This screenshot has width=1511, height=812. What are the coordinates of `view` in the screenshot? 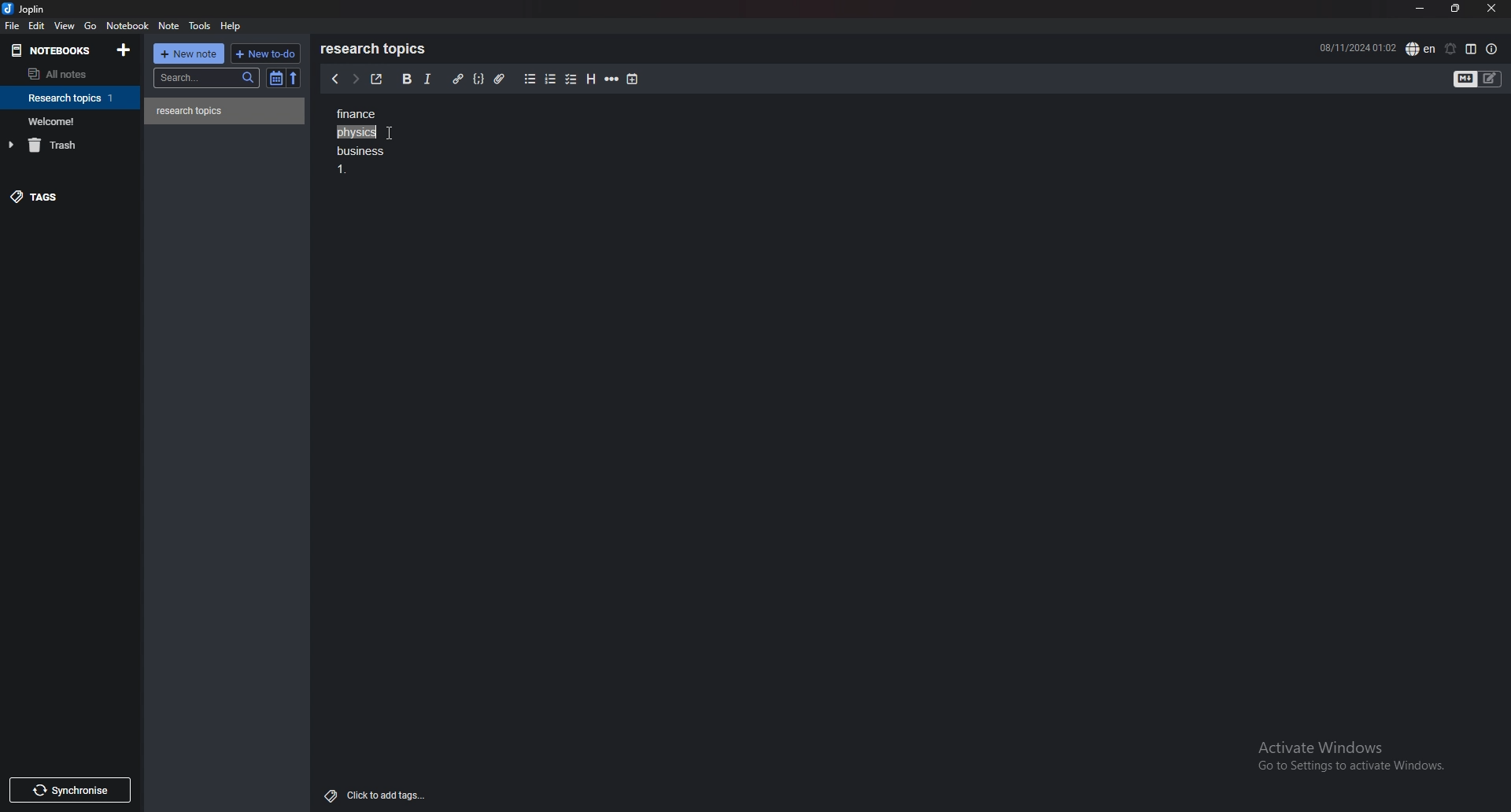 It's located at (65, 26).